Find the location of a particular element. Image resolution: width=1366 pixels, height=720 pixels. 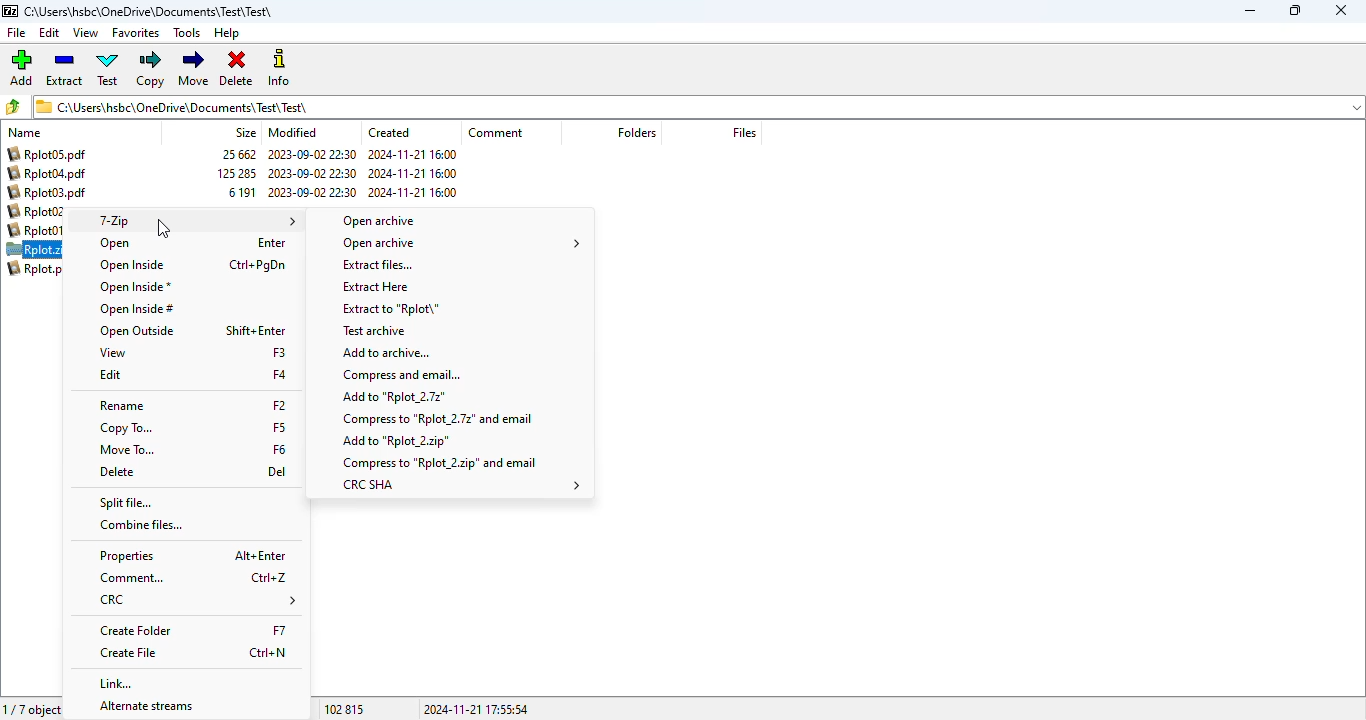

alternate streams is located at coordinates (139, 707).